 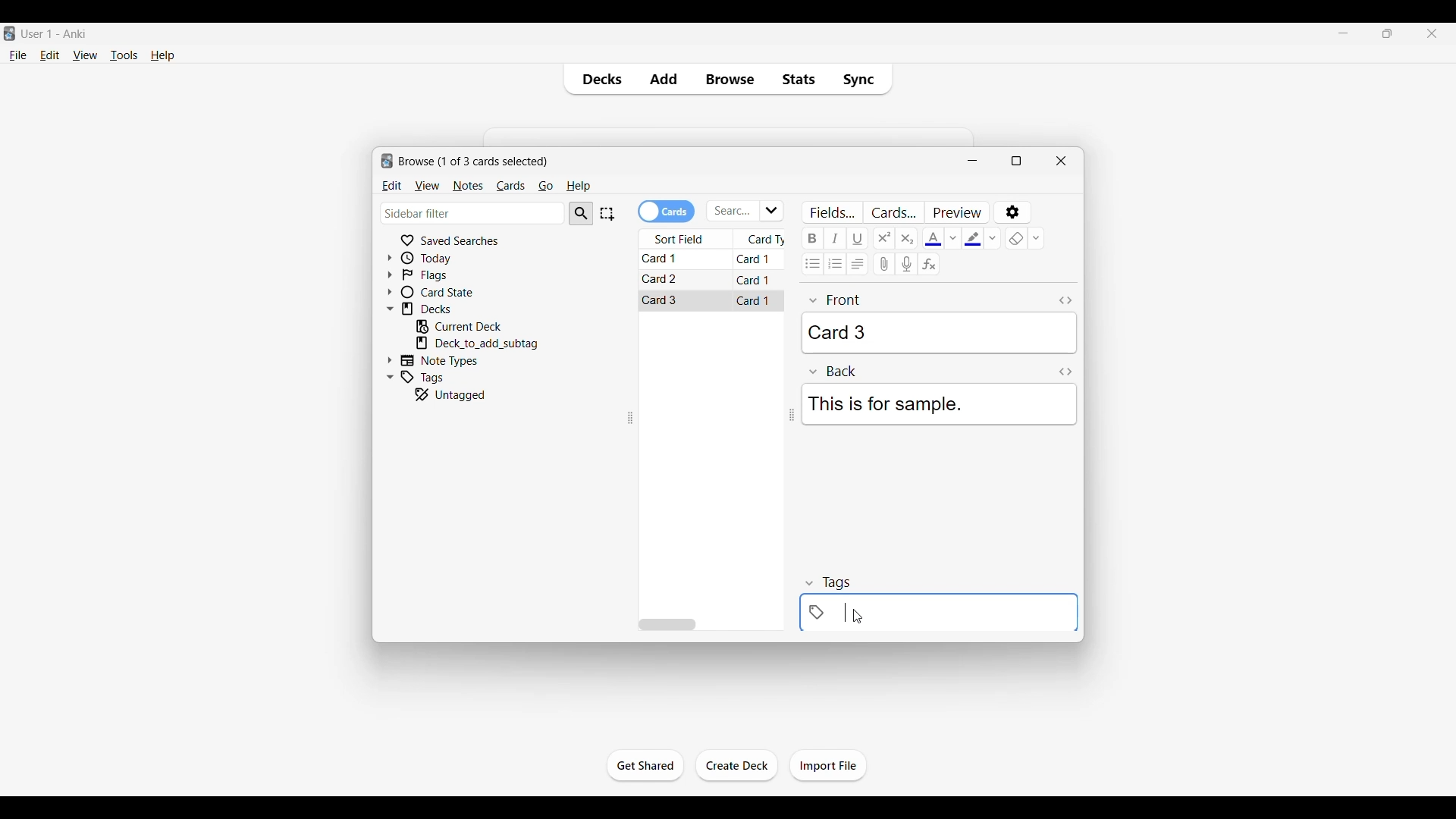 What do you see at coordinates (449, 376) in the screenshot?
I see `Click to go to tags` at bounding box center [449, 376].